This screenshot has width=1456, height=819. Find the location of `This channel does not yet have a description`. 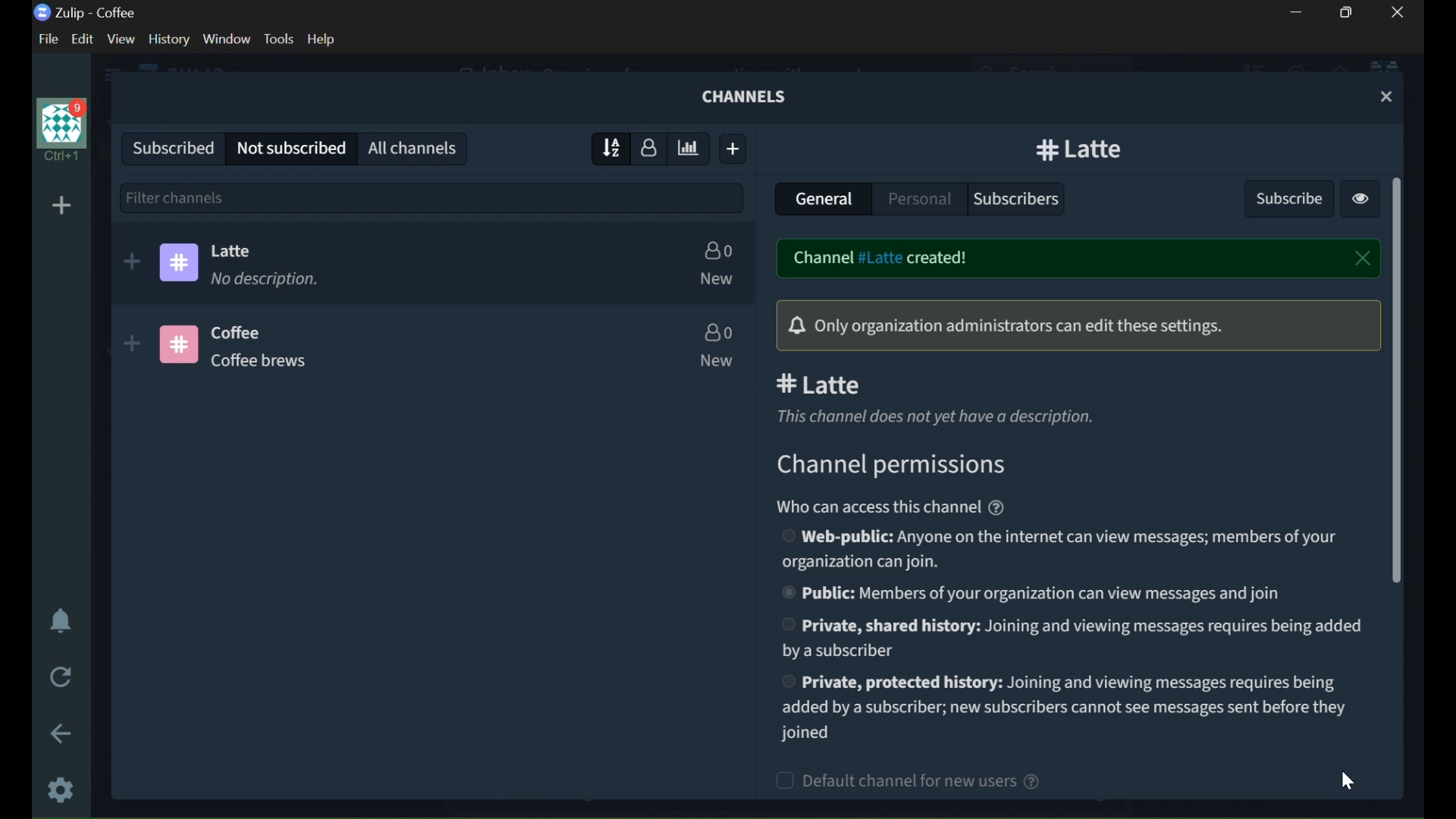

This channel does not yet have a description is located at coordinates (946, 417).